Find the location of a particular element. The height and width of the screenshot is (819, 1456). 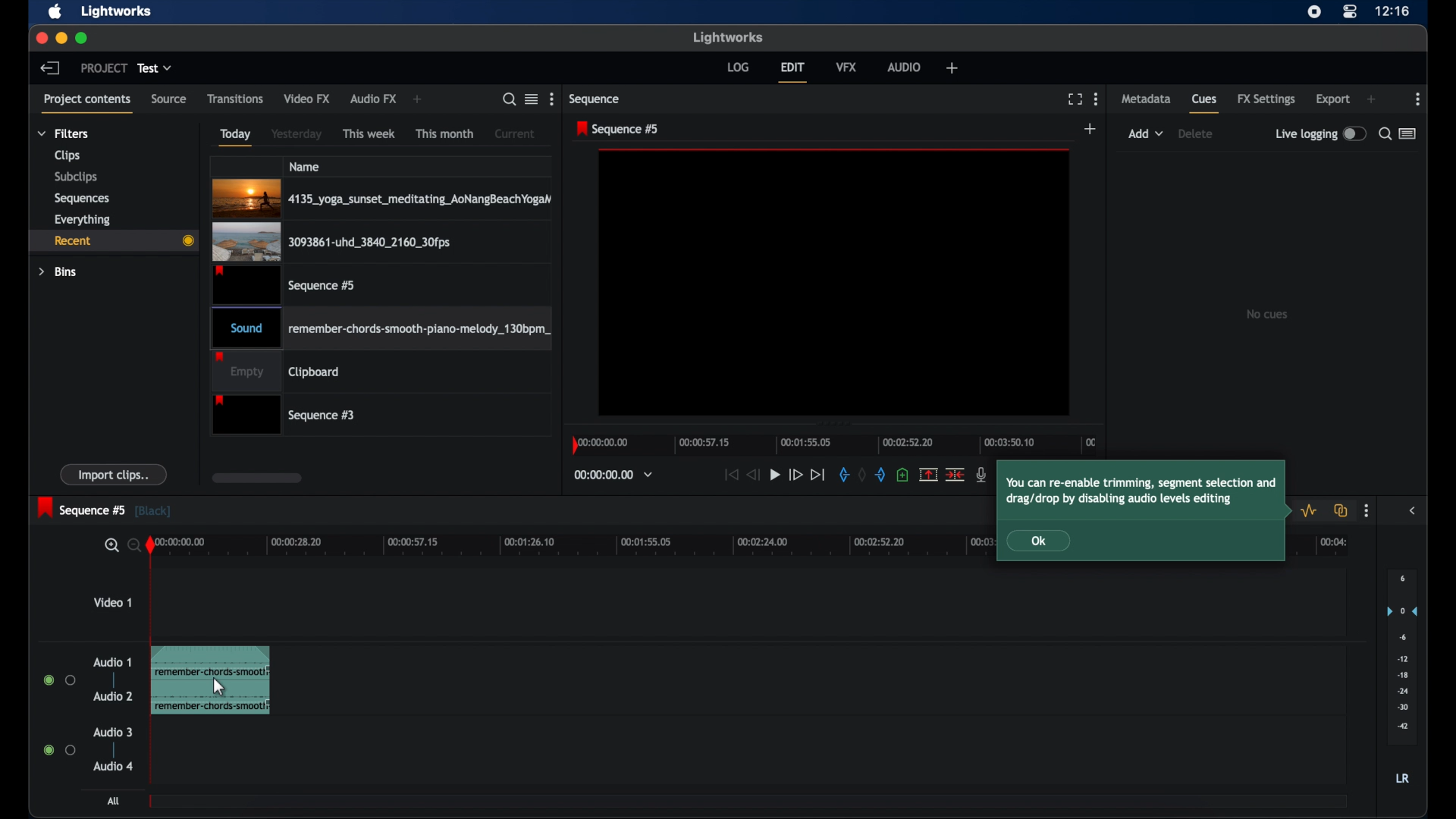

more options is located at coordinates (1096, 99).